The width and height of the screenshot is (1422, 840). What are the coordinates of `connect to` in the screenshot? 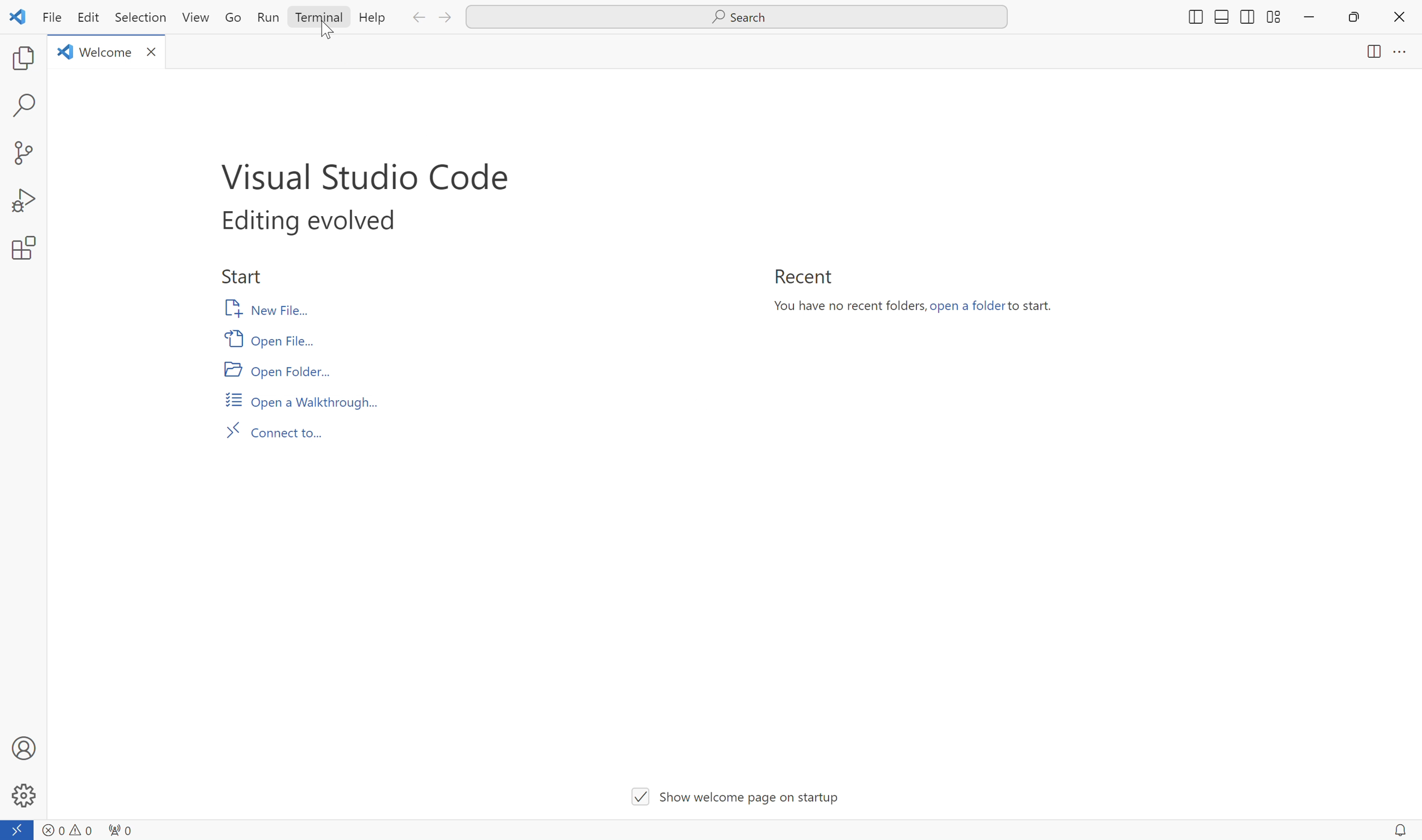 It's located at (18, 830).